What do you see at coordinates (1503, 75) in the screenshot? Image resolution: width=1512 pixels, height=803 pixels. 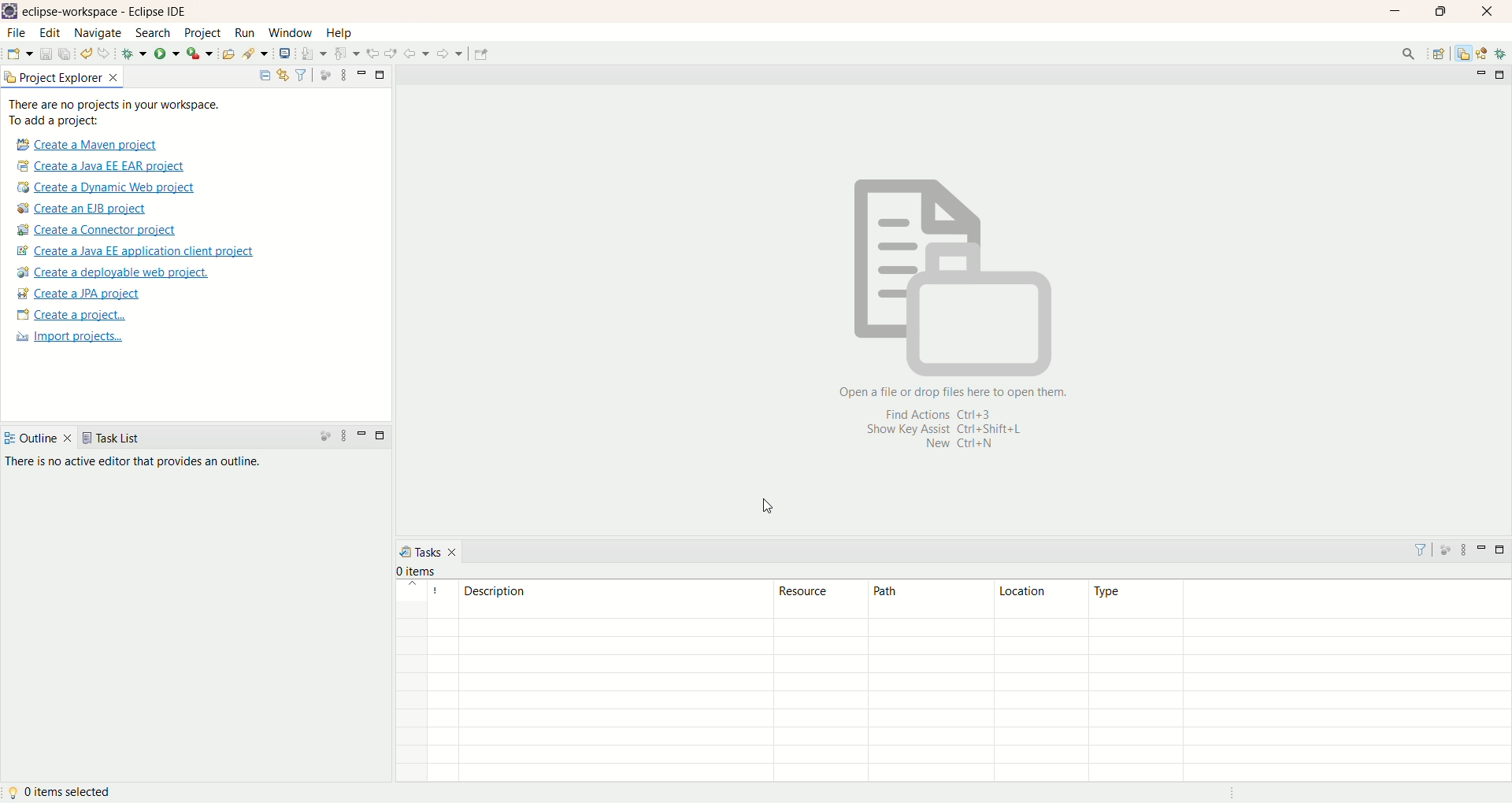 I see `maximize` at bounding box center [1503, 75].